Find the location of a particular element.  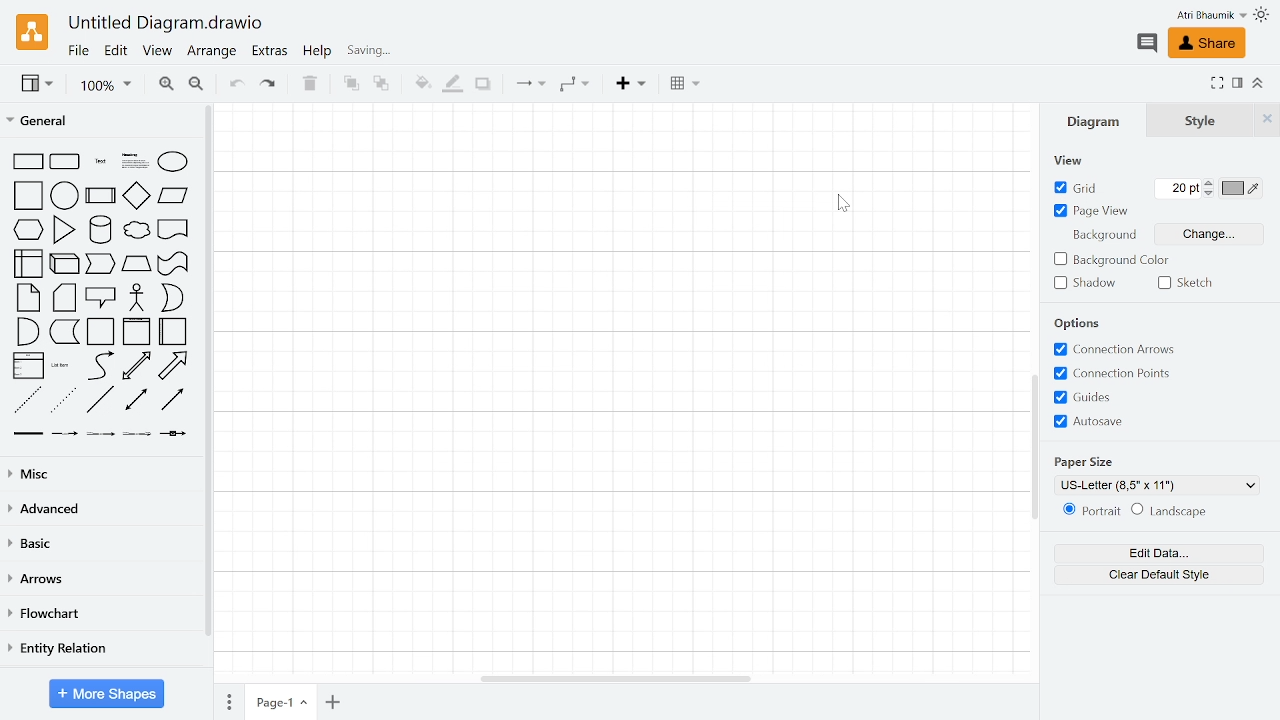

Arrows is located at coordinates (101, 580).